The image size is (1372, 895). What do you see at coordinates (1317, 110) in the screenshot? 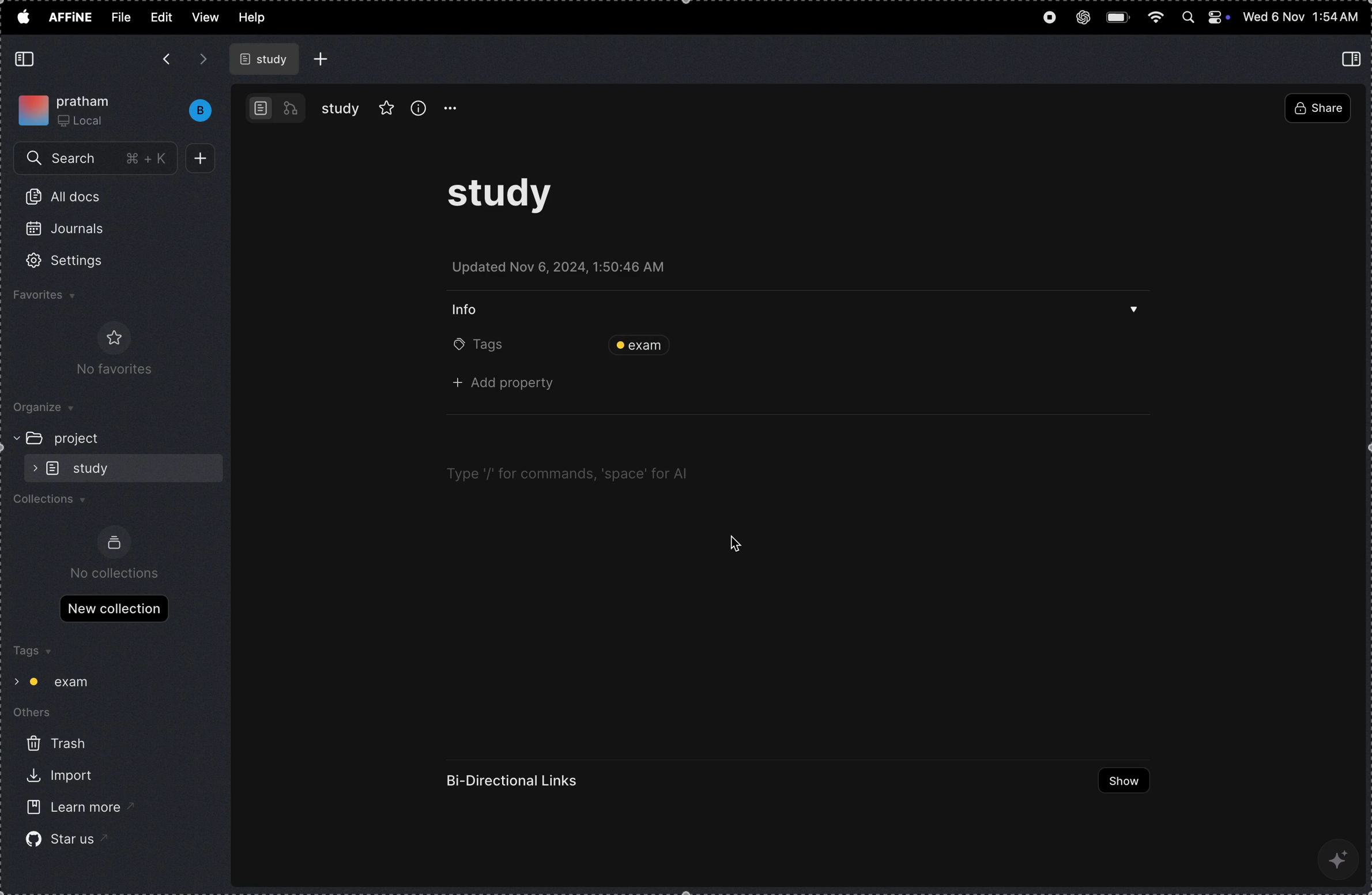
I see `share` at bounding box center [1317, 110].